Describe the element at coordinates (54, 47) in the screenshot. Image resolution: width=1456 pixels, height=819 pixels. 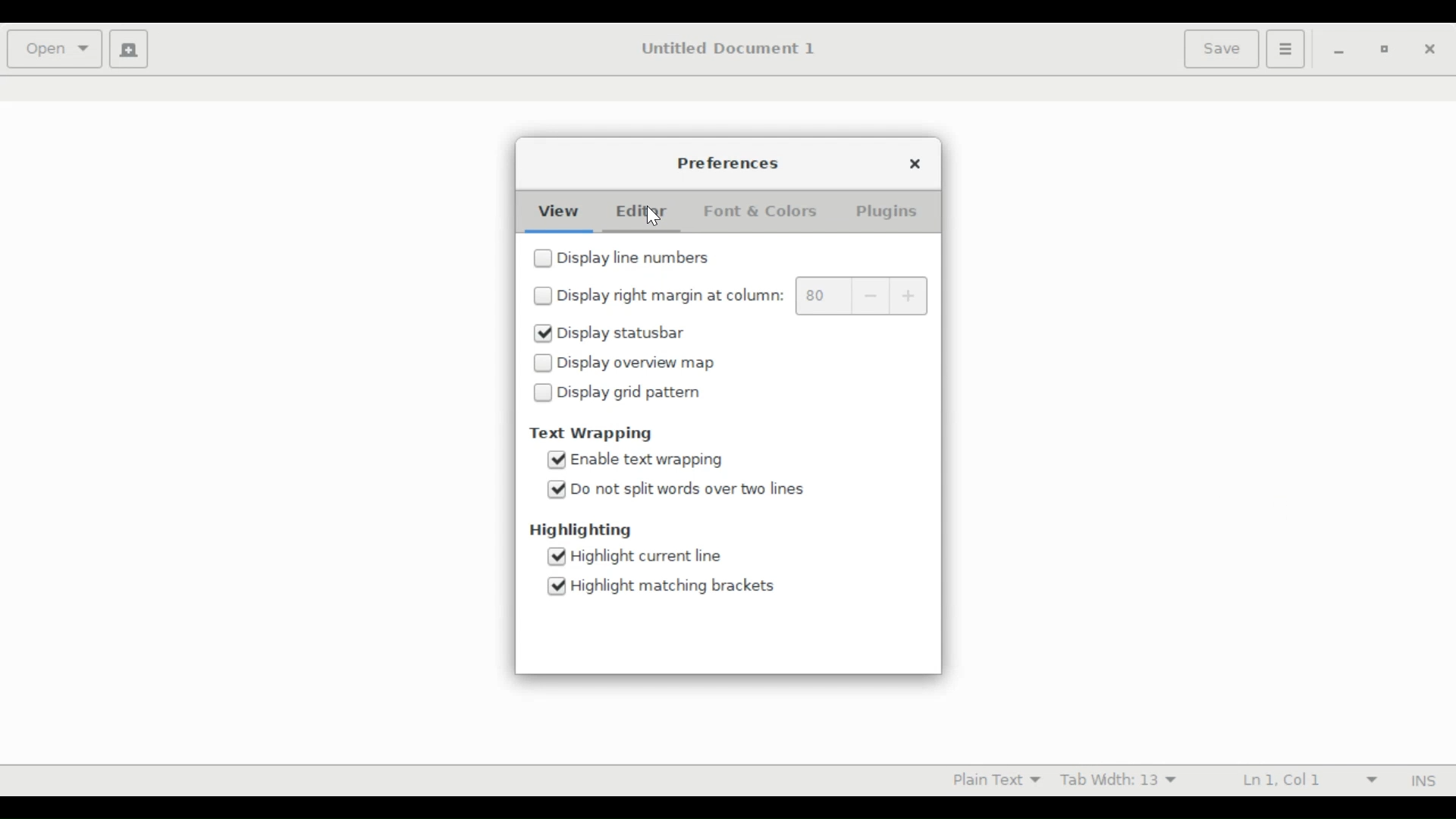
I see `Open` at that location.